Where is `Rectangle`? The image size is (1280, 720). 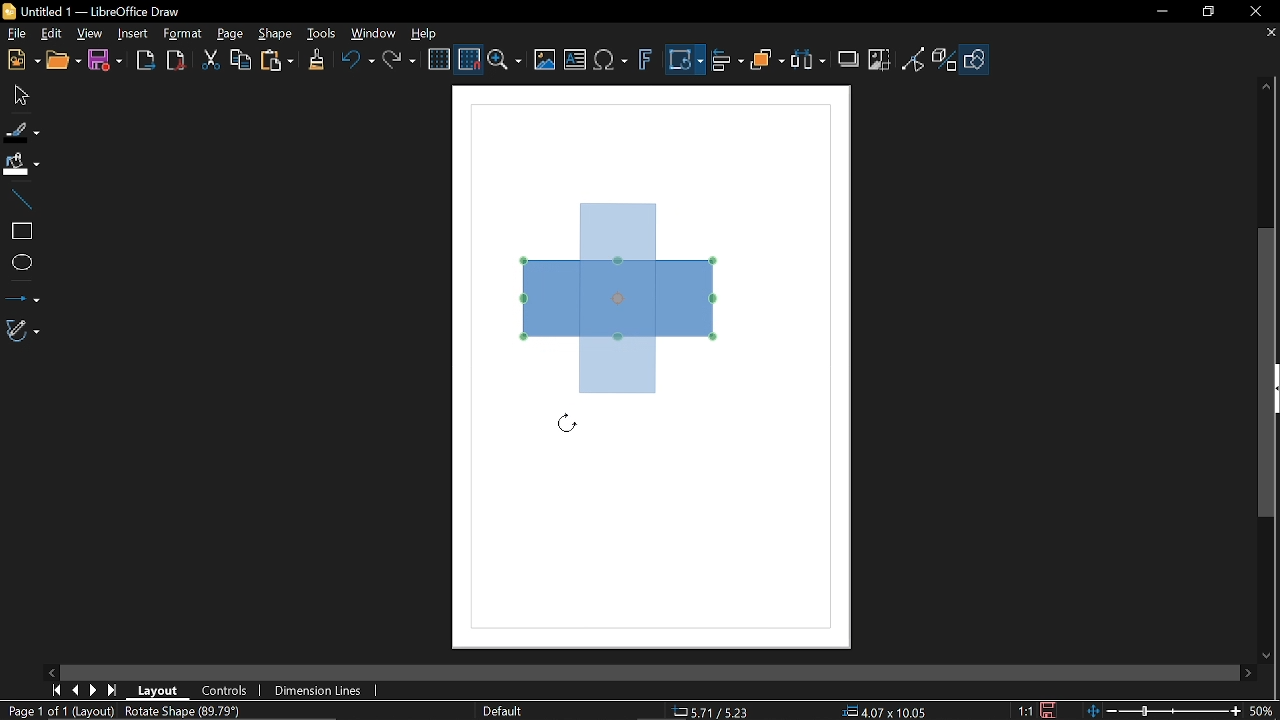 Rectangle is located at coordinates (20, 231).